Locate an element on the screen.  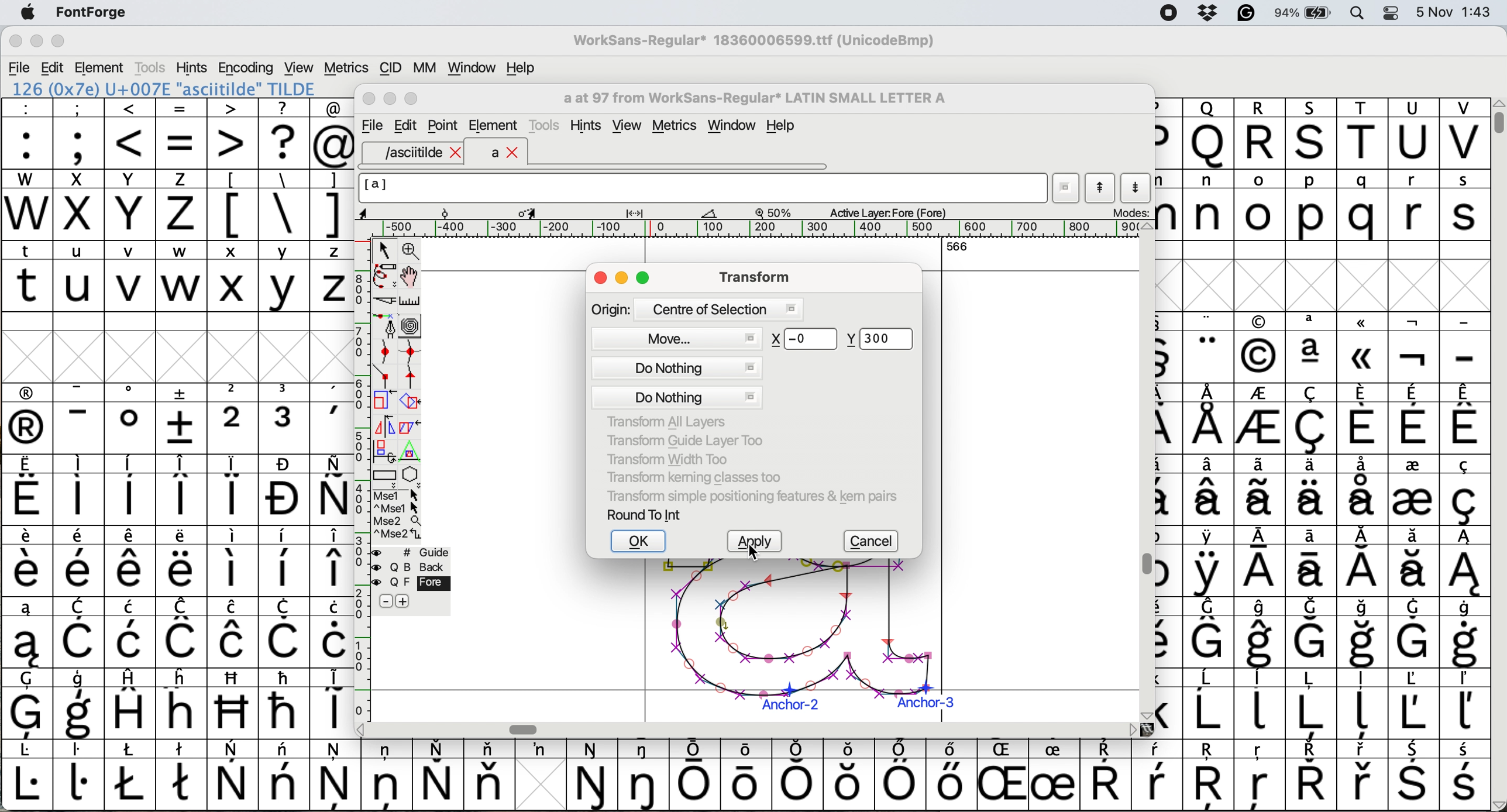
tranform width too is located at coordinates (674, 457).